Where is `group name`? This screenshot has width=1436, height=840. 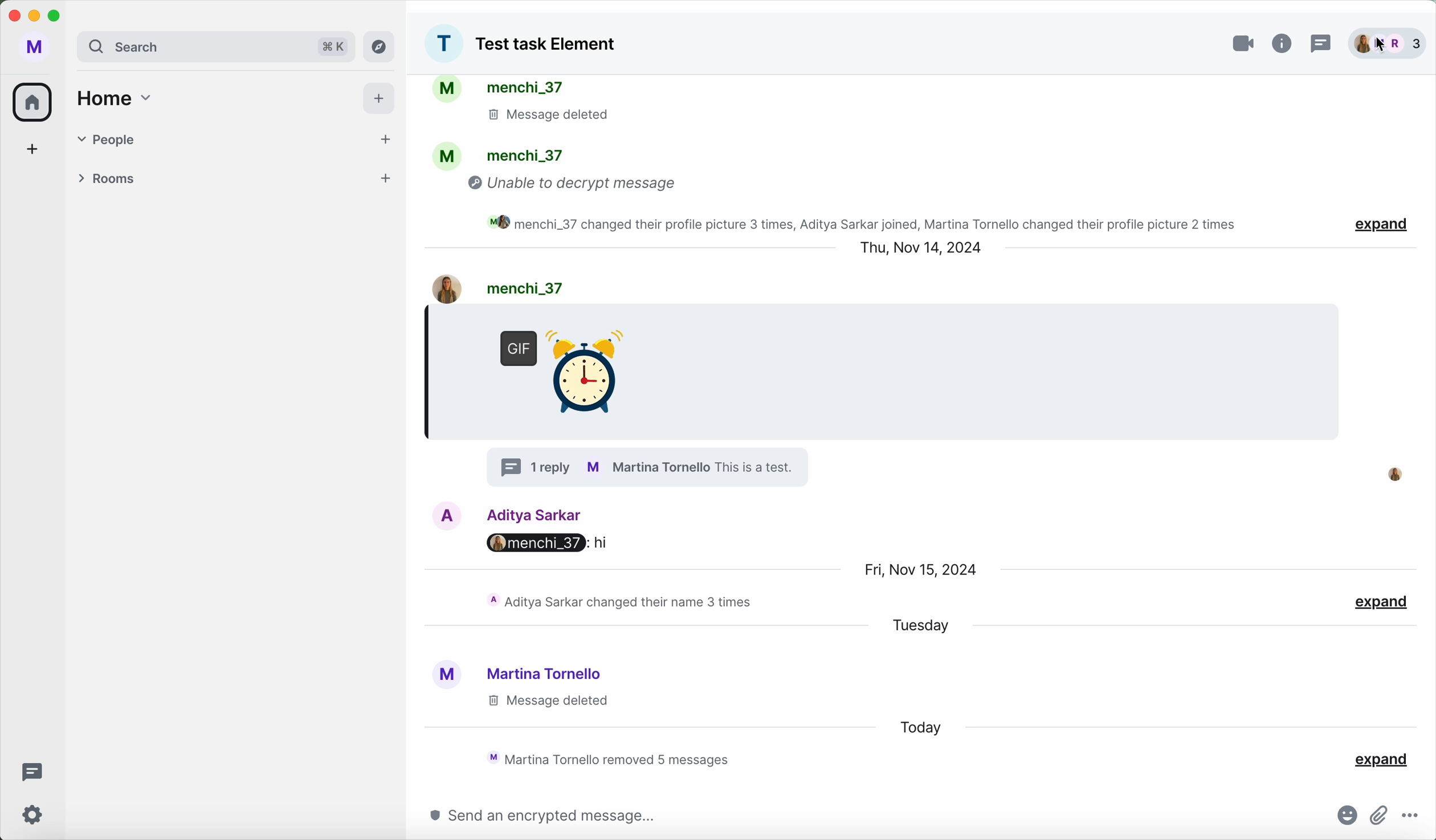 group name is located at coordinates (548, 46).